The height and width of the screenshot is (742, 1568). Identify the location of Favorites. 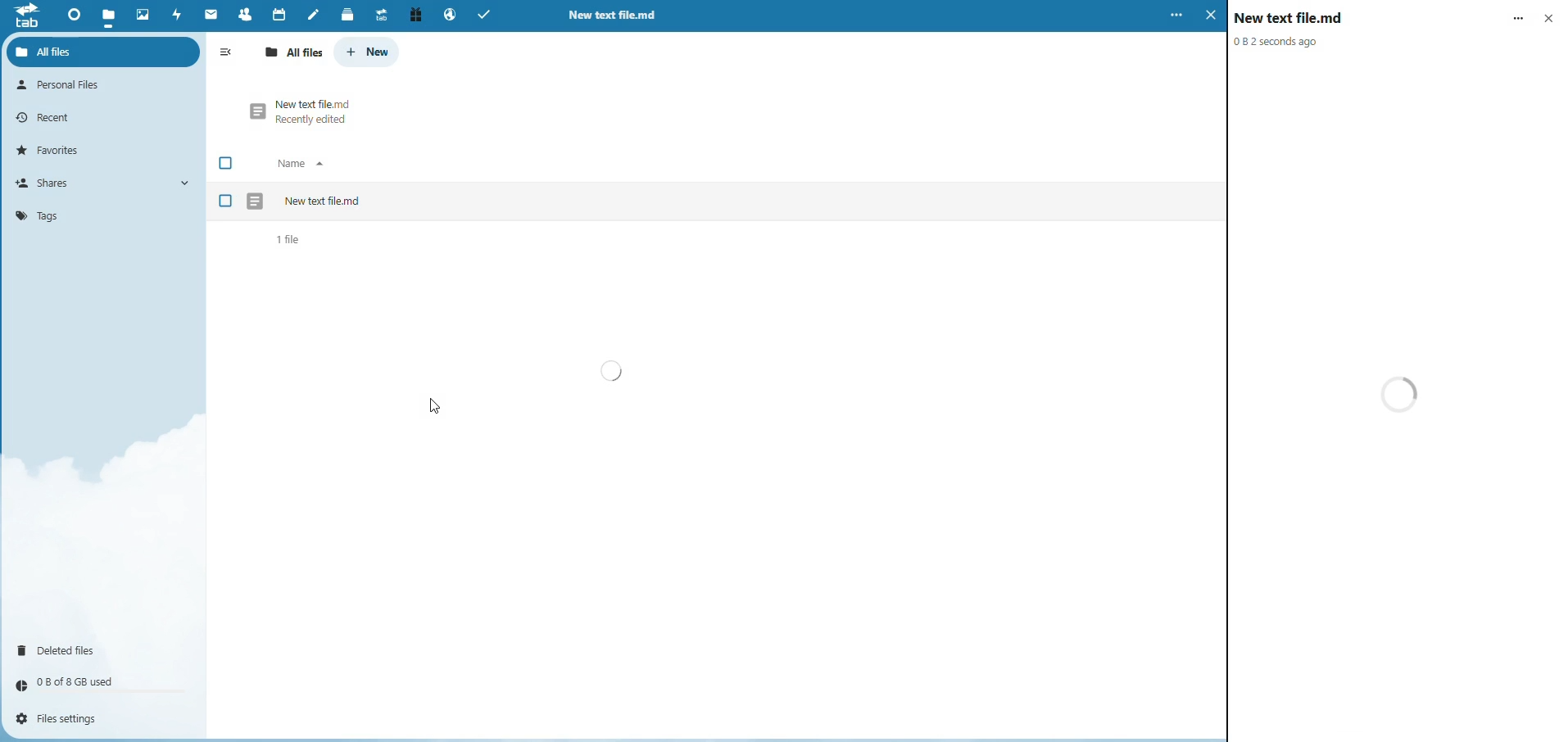
(55, 149).